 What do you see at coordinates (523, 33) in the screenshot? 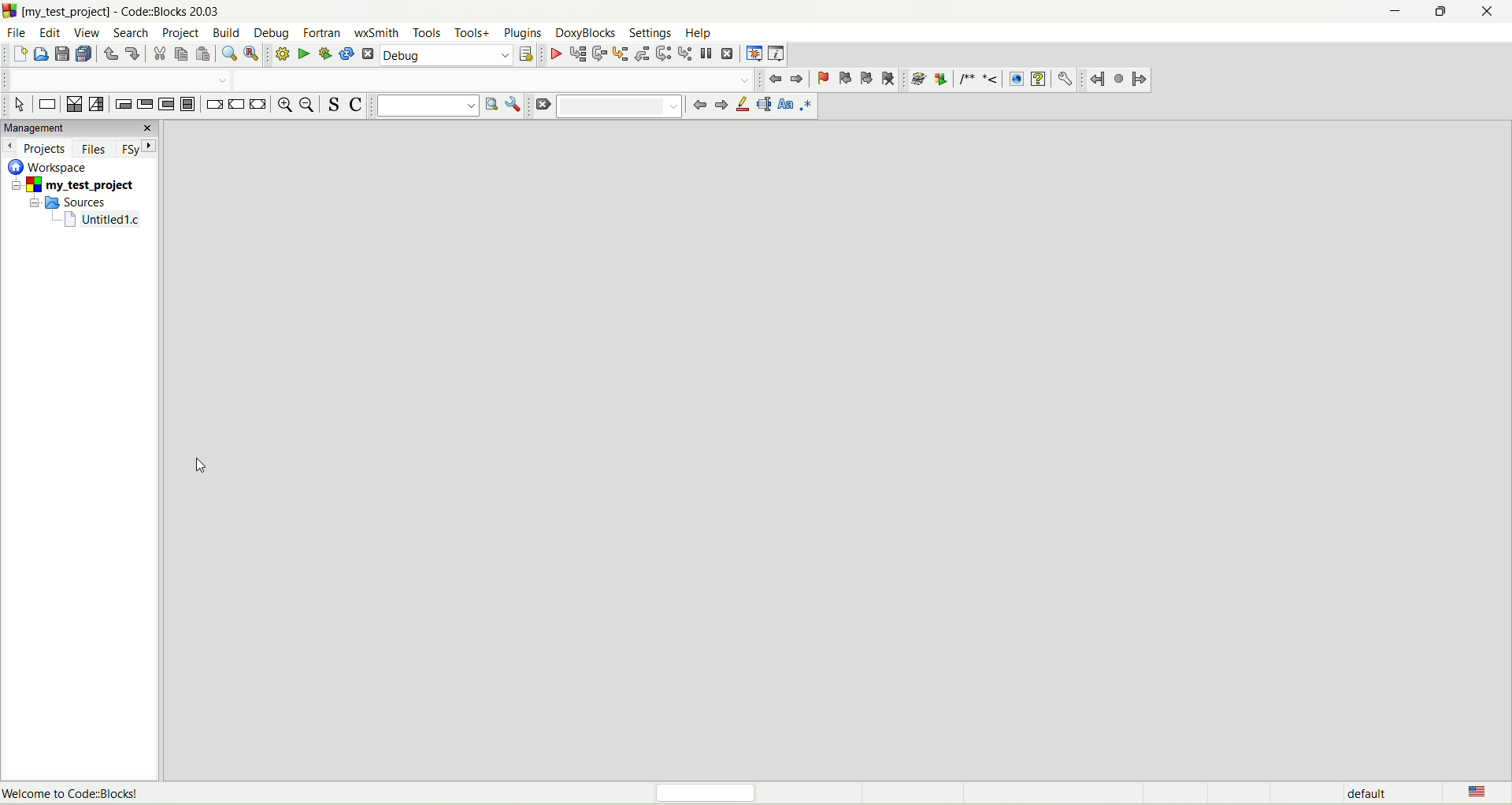
I see `plugins` at bounding box center [523, 33].